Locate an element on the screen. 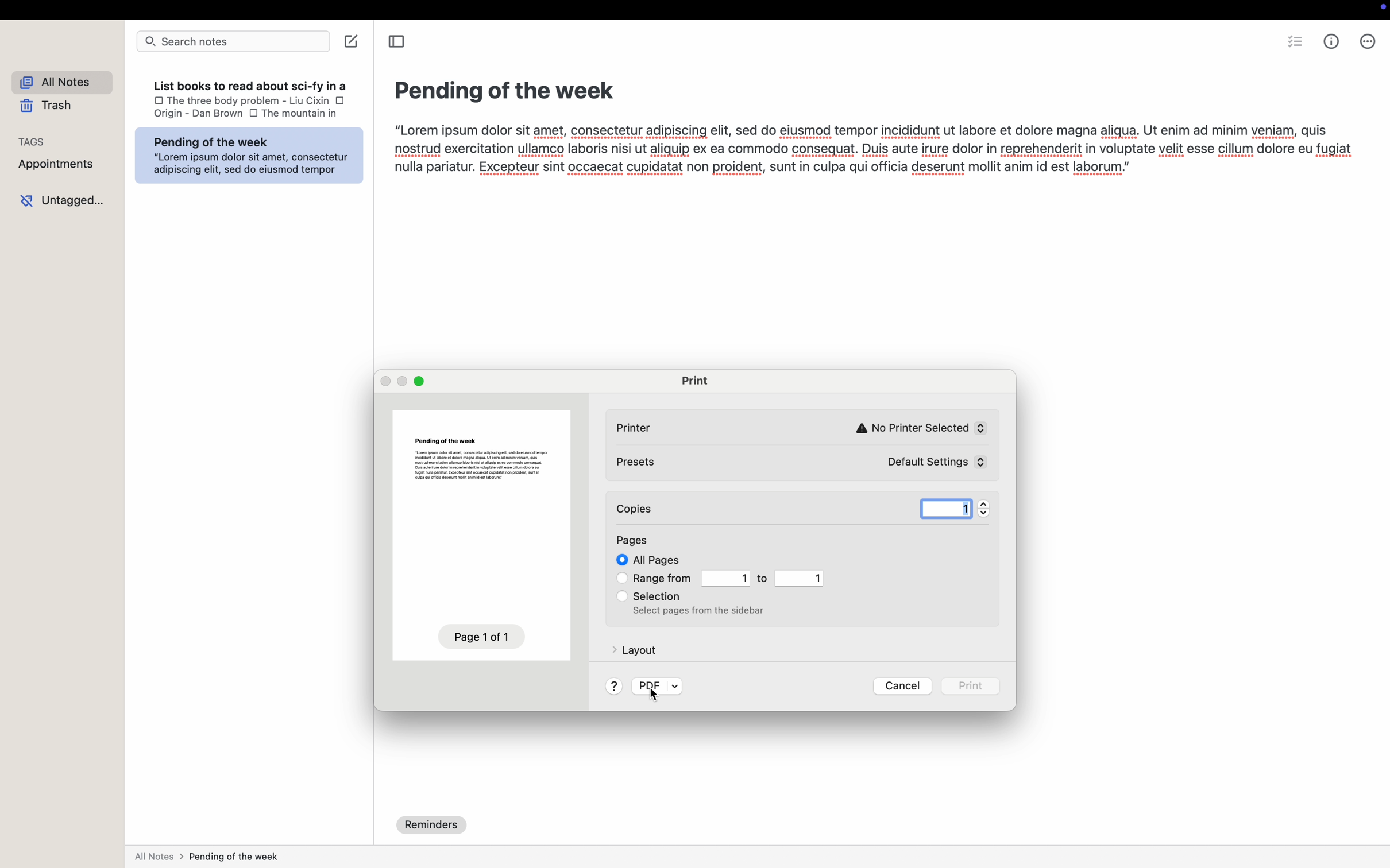 This screenshot has height=868, width=1390. checkbox is located at coordinates (254, 114).